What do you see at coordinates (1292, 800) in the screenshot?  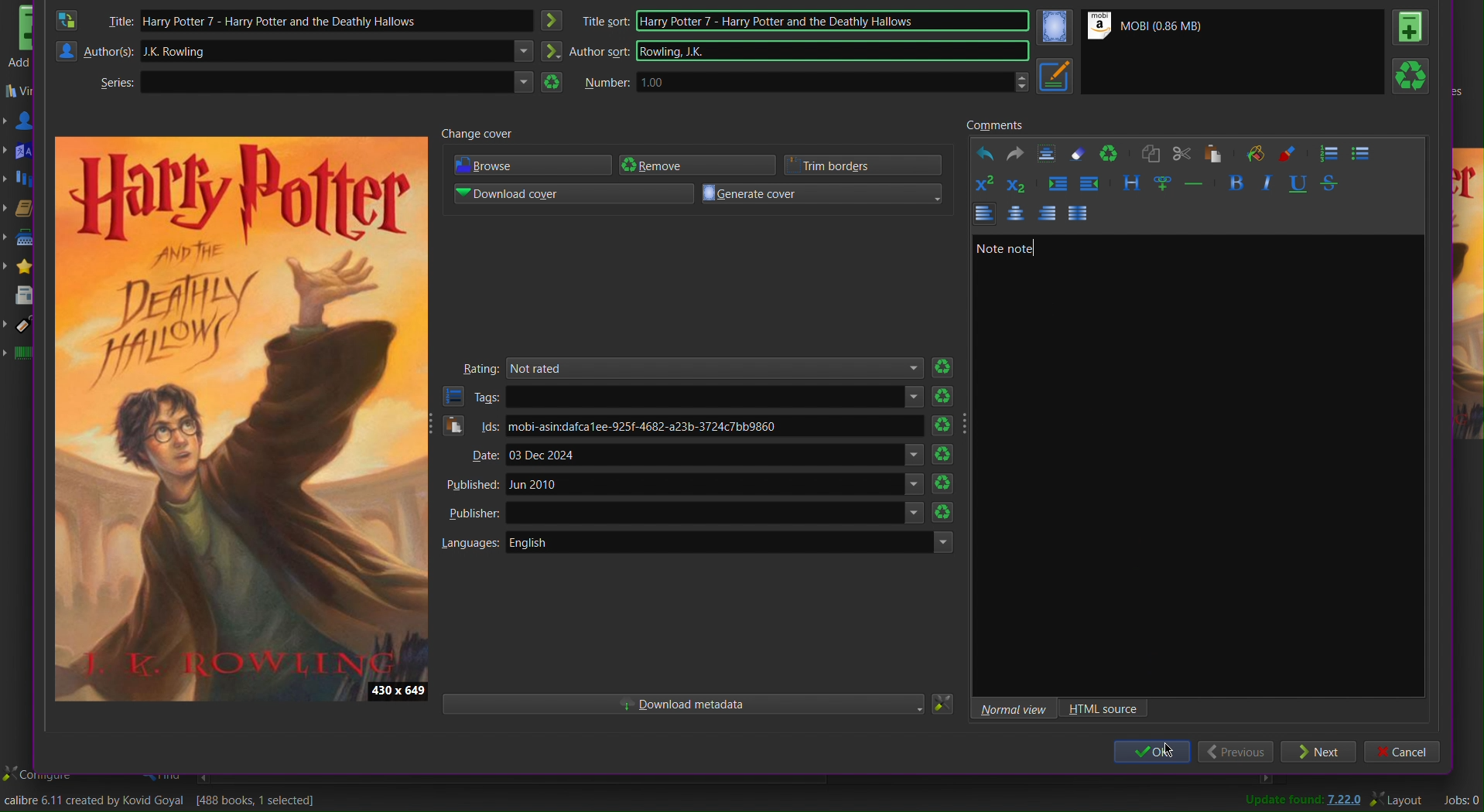 I see `Update` at bounding box center [1292, 800].